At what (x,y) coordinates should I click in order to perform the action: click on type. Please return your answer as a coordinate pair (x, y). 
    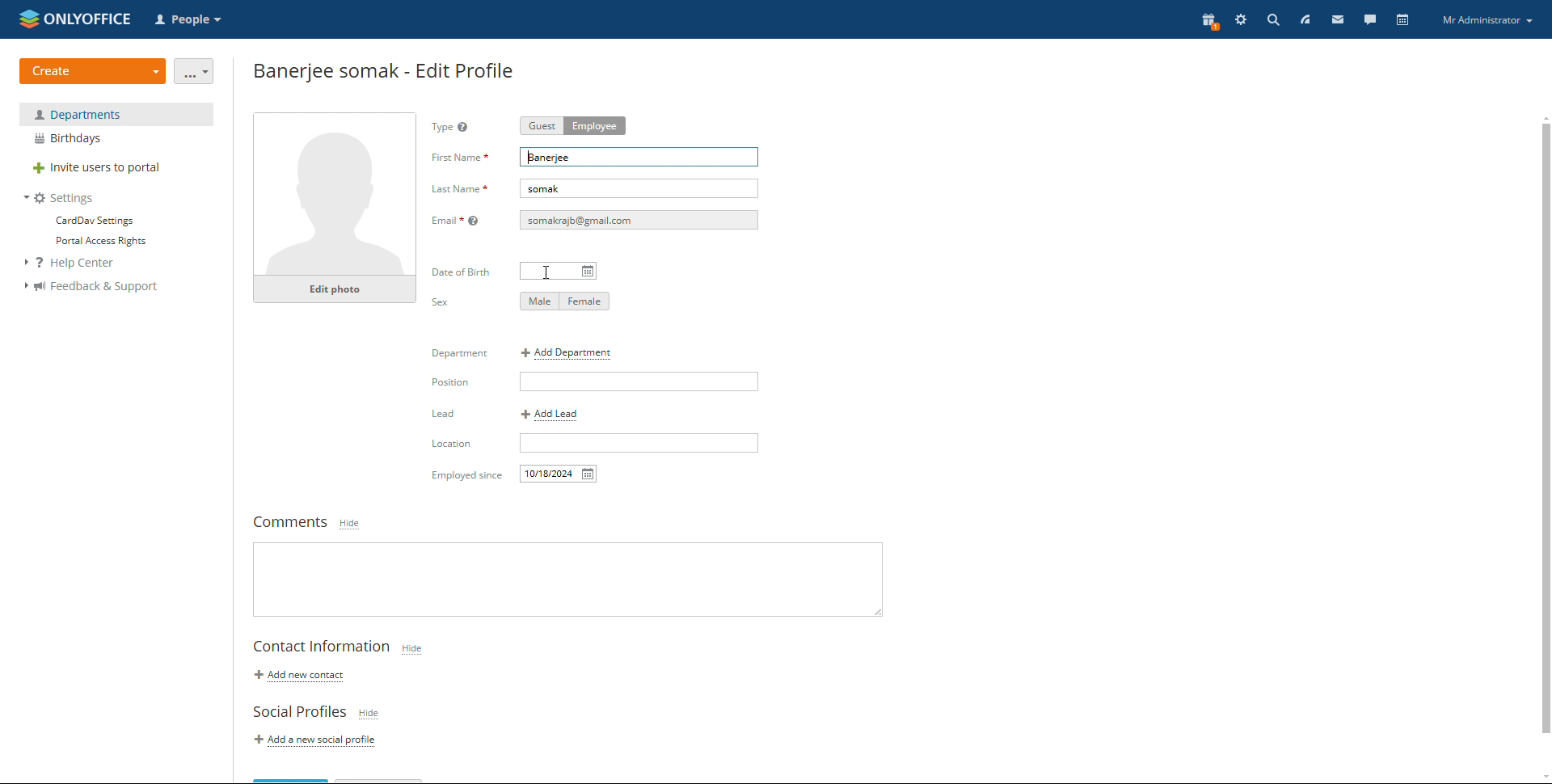
    Looking at the image, I should click on (455, 129).